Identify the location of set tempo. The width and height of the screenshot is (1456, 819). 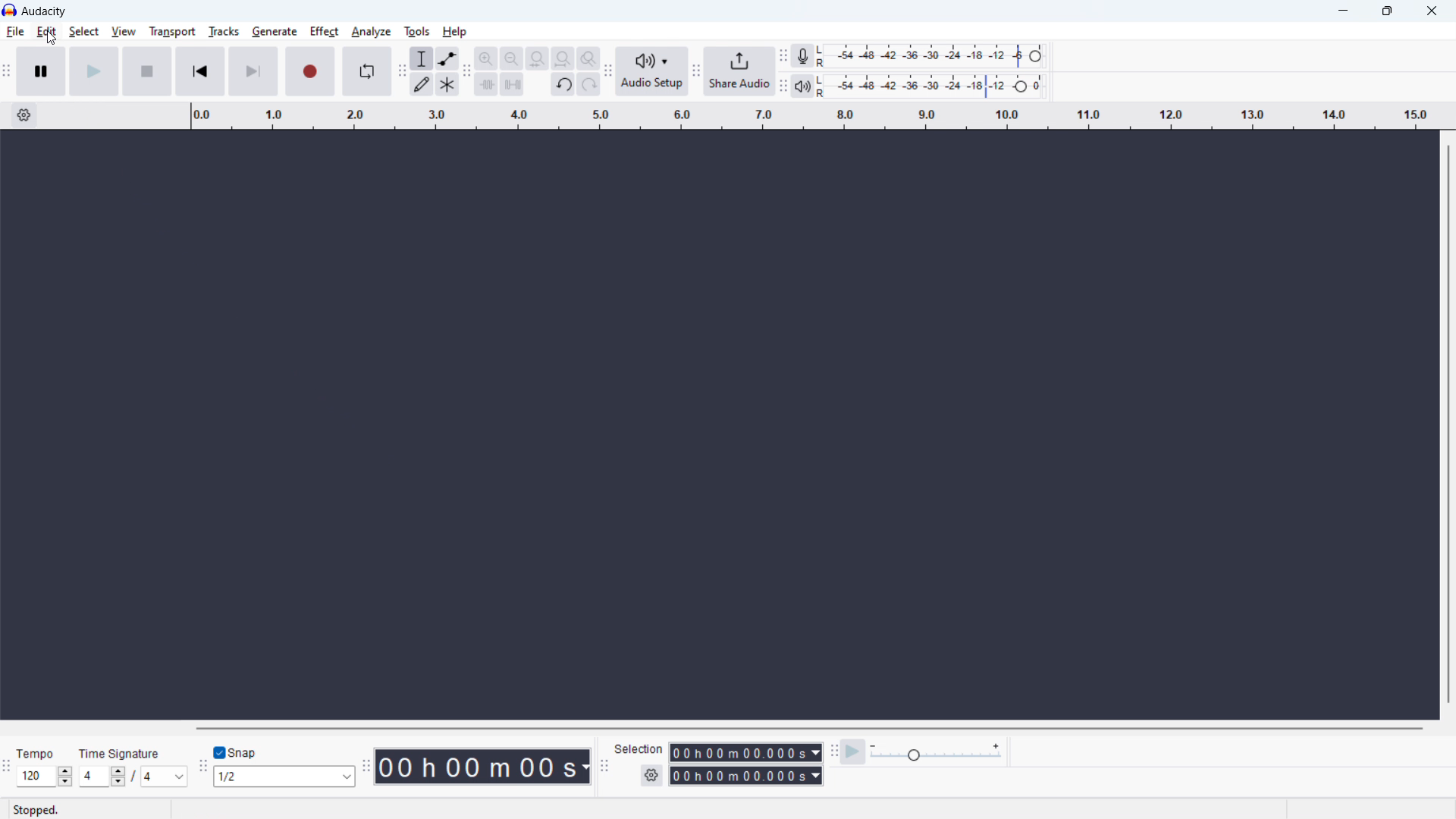
(44, 776).